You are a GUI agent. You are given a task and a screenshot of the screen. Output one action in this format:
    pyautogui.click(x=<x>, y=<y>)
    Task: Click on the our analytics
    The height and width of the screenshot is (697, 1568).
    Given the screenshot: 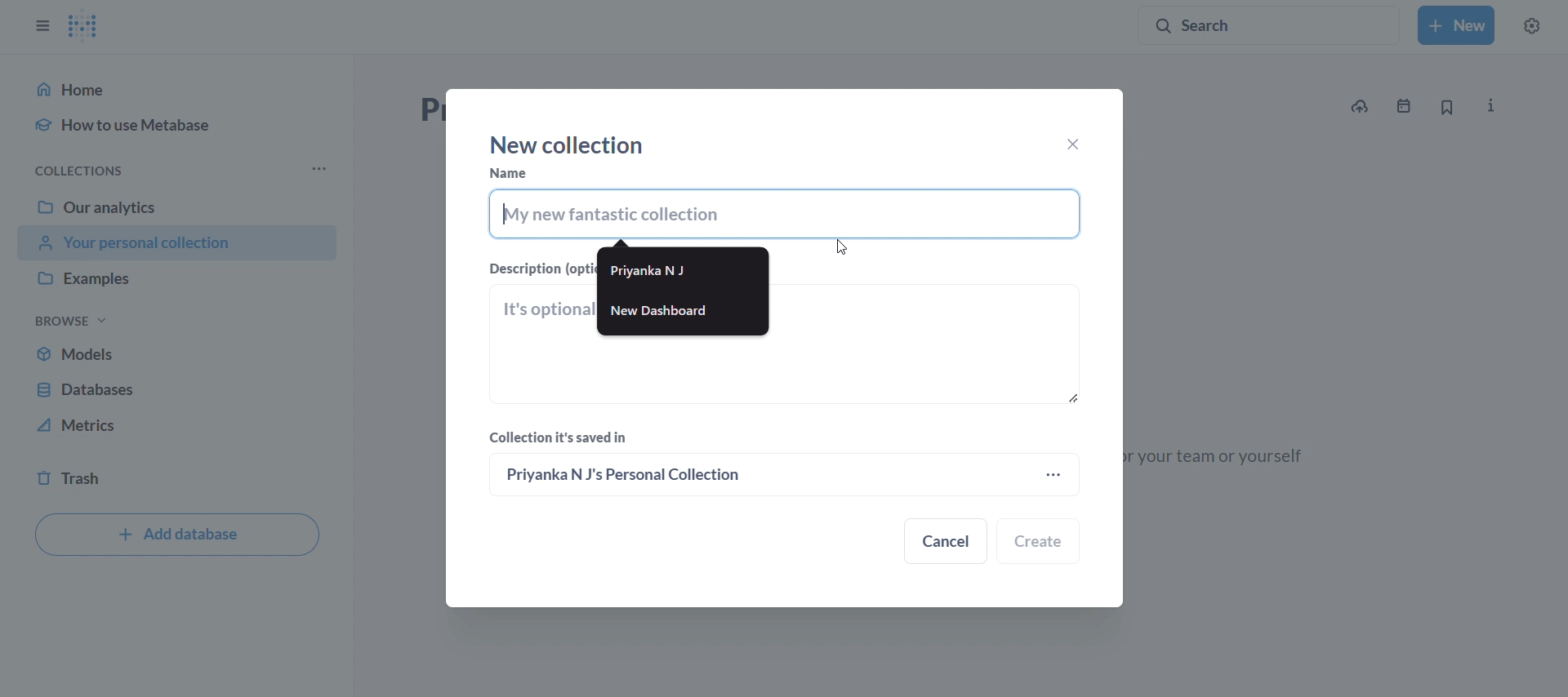 What is the action you would take?
    pyautogui.click(x=177, y=206)
    